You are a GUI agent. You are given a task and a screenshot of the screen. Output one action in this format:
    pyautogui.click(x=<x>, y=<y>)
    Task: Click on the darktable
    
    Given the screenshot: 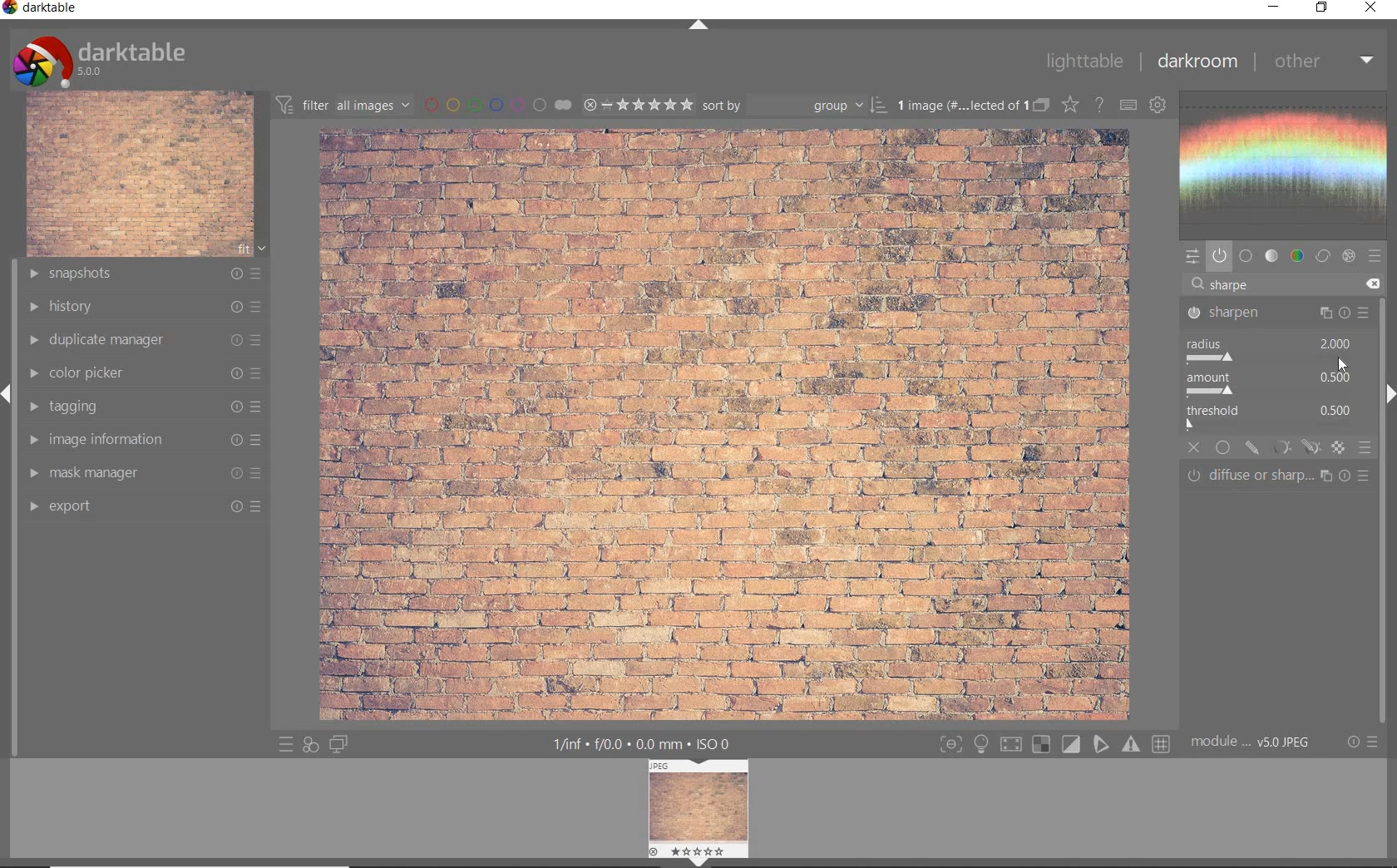 What is the action you would take?
    pyautogui.click(x=42, y=9)
    